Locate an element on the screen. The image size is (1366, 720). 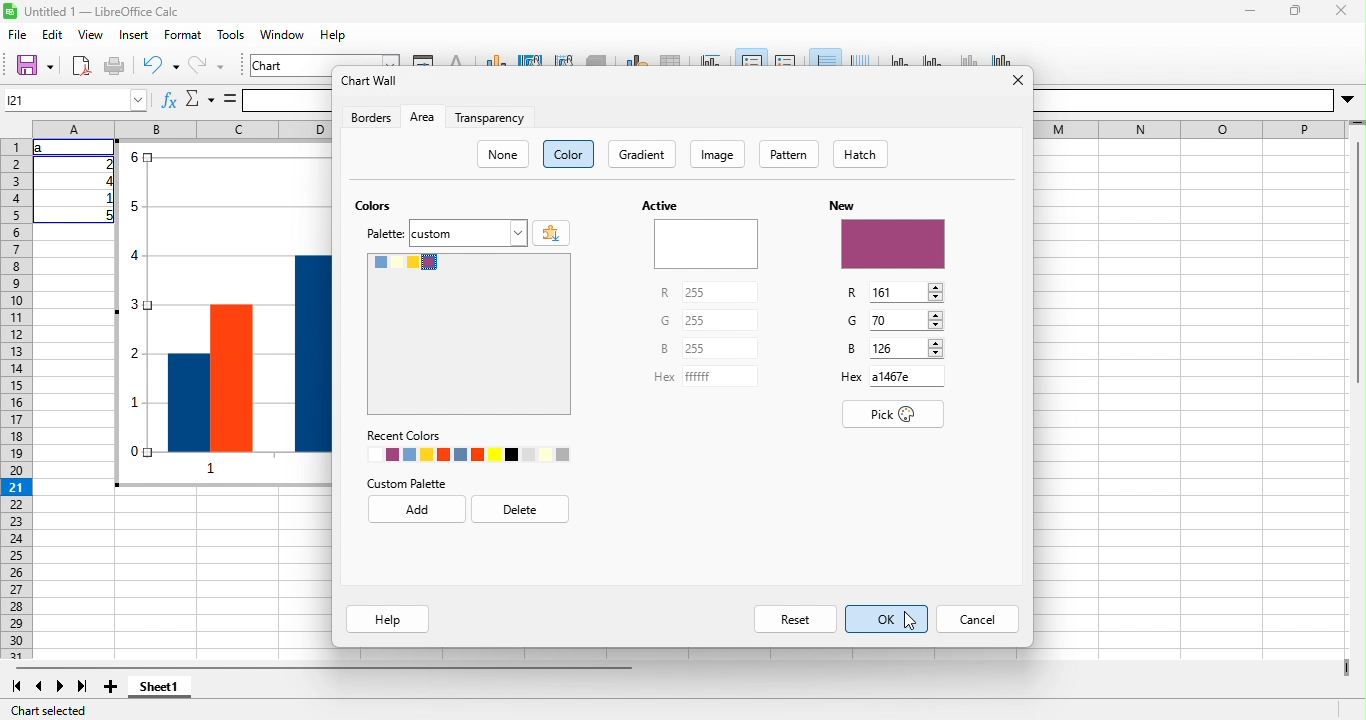
file is located at coordinates (18, 34).